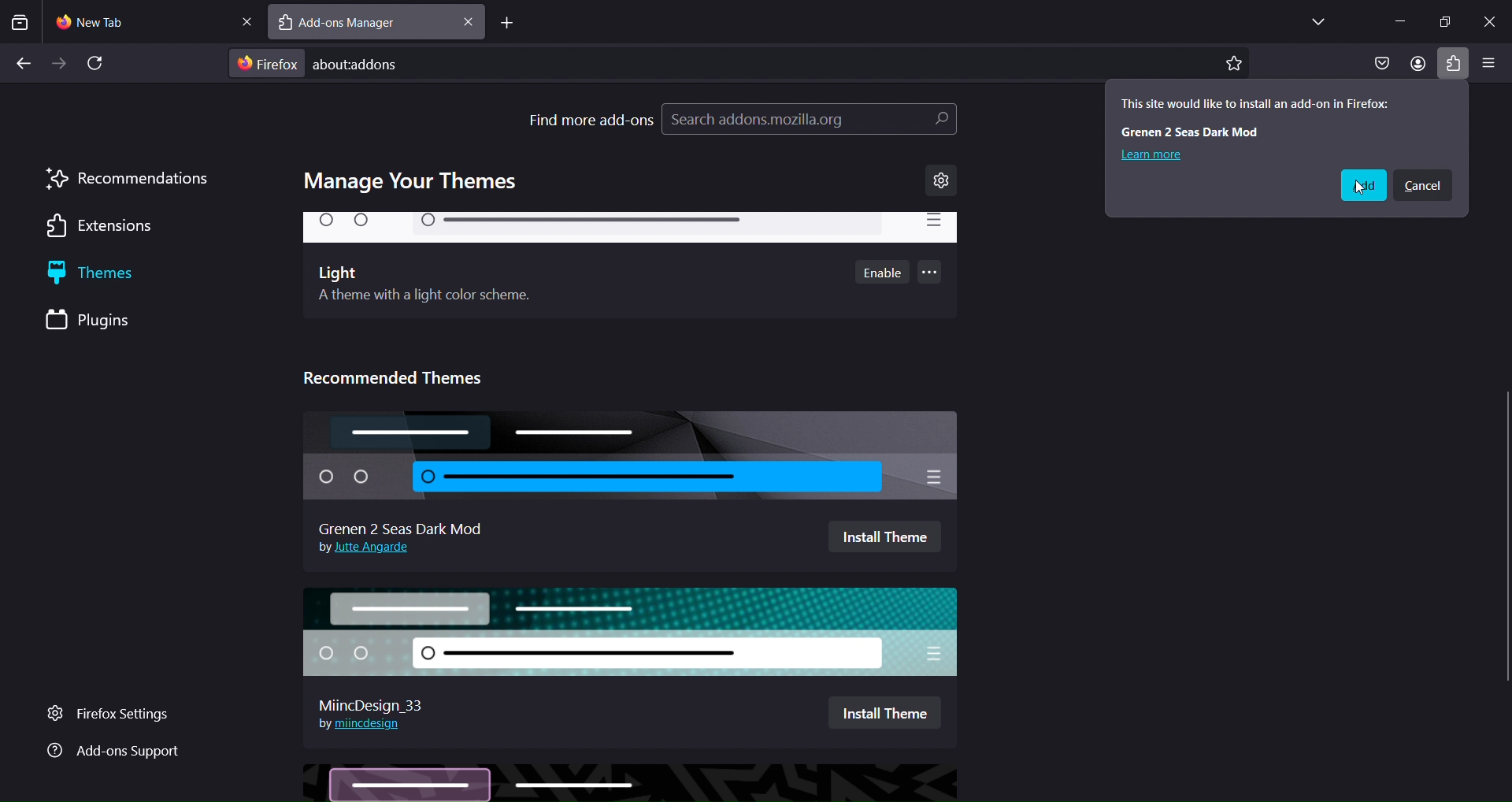  Describe the element at coordinates (1380, 64) in the screenshot. I see `save to pocket` at that location.